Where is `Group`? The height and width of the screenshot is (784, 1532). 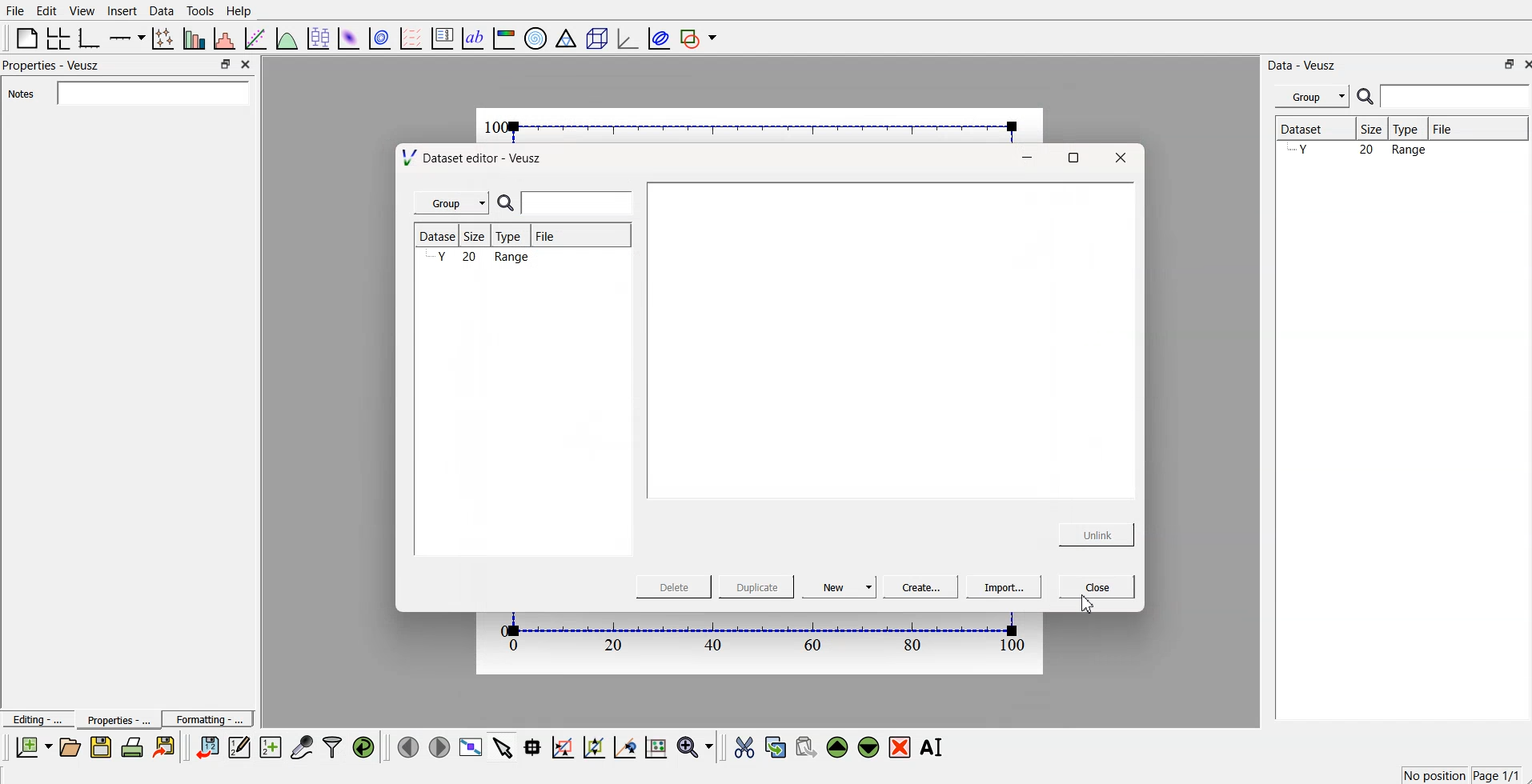 Group is located at coordinates (1309, 97).